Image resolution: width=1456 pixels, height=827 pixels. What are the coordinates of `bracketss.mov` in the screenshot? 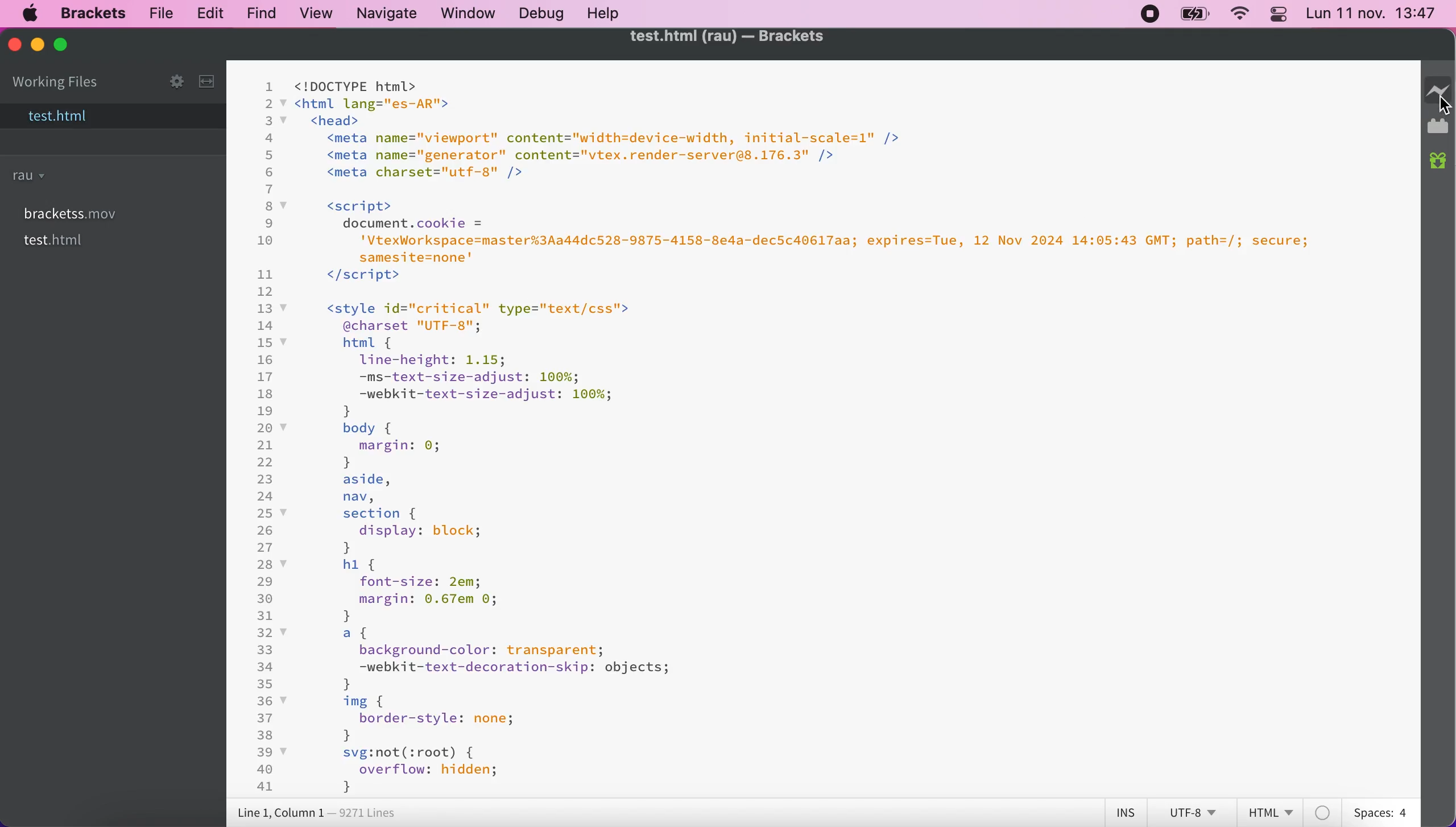 It's located at (69, 210).